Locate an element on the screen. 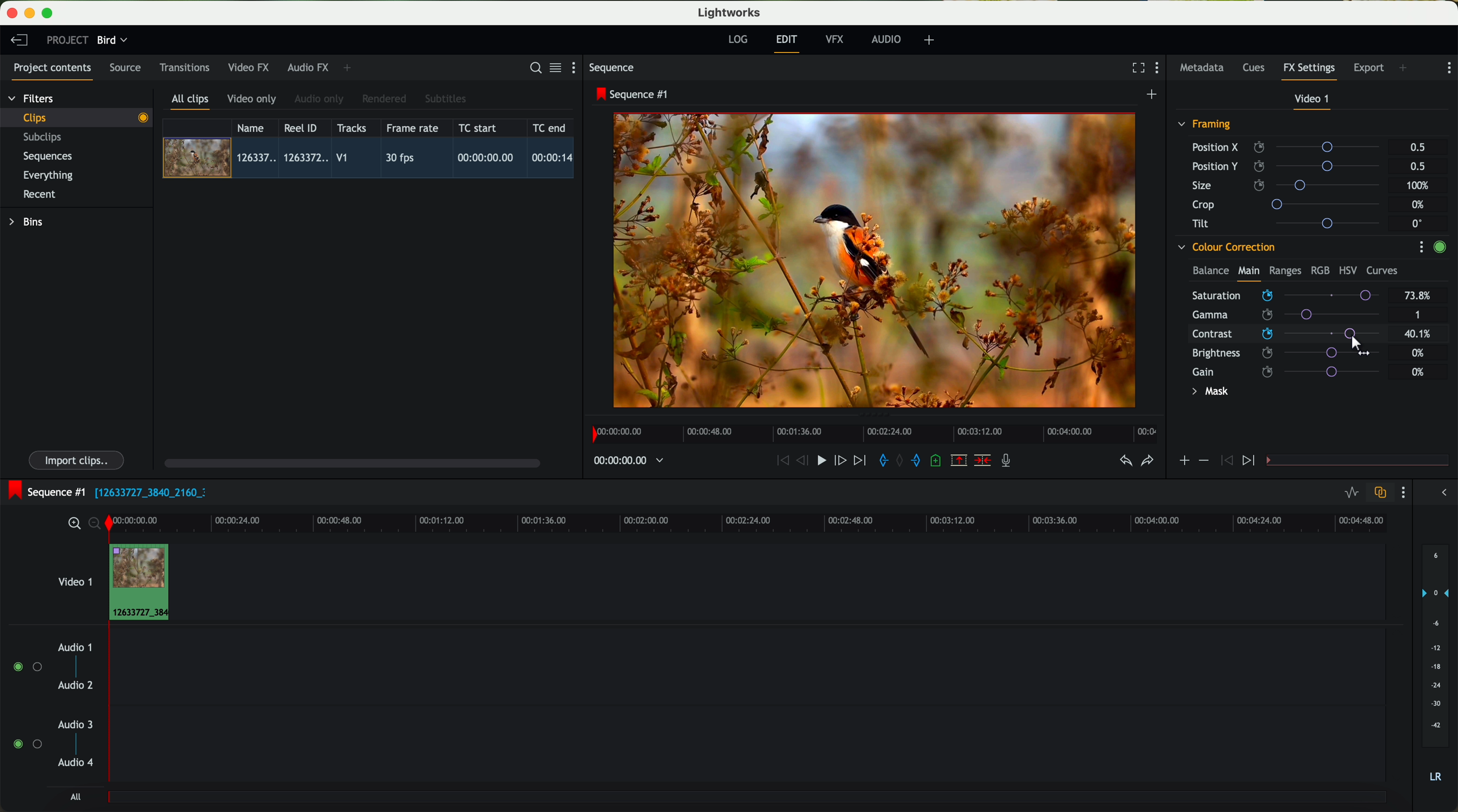  0% is located at coordinates (1420, 205).